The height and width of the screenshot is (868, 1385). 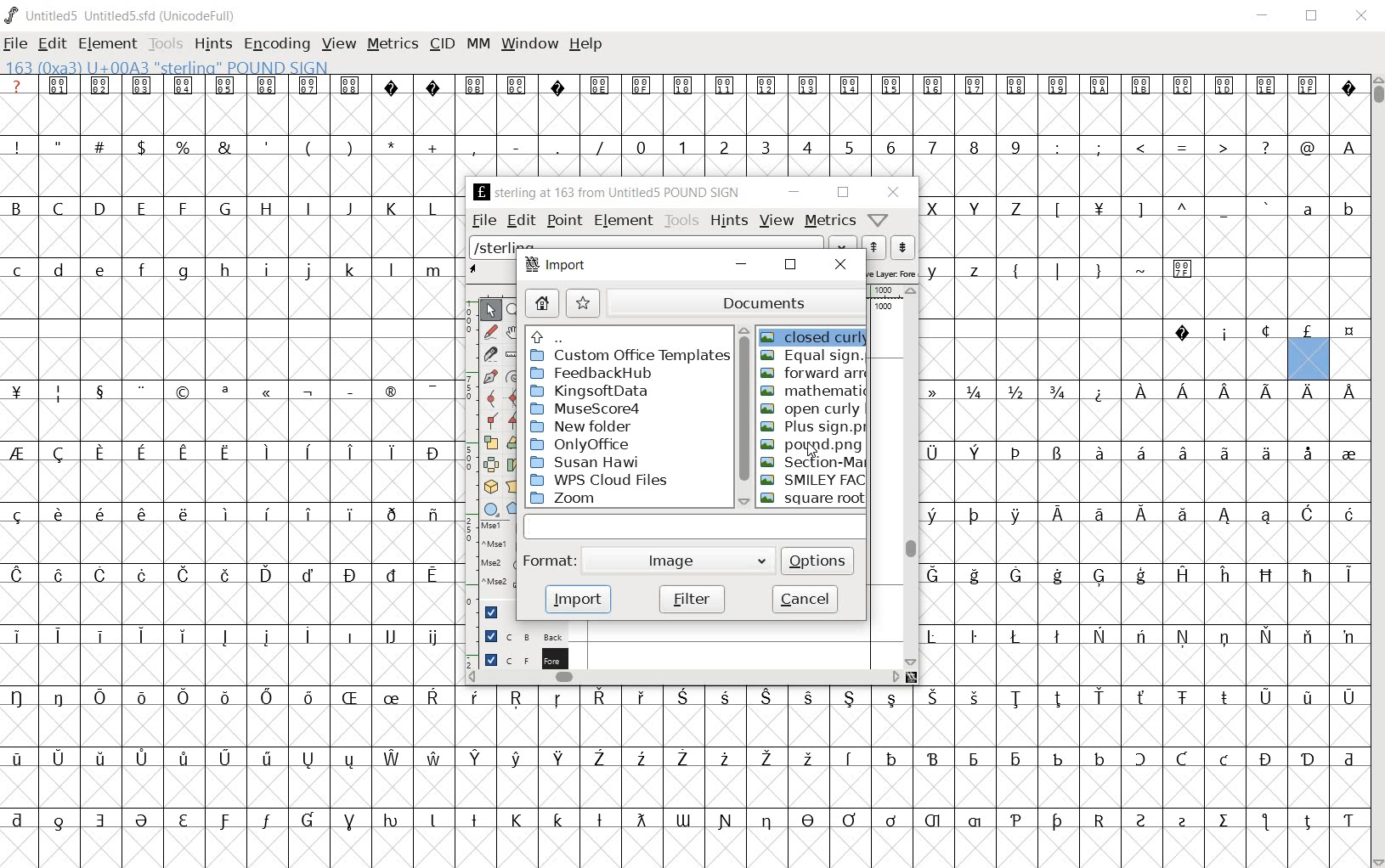 What do you see at coordinates (265, 637) in the screenshot?
I see `Symbol` at bounding box center [265, 637].